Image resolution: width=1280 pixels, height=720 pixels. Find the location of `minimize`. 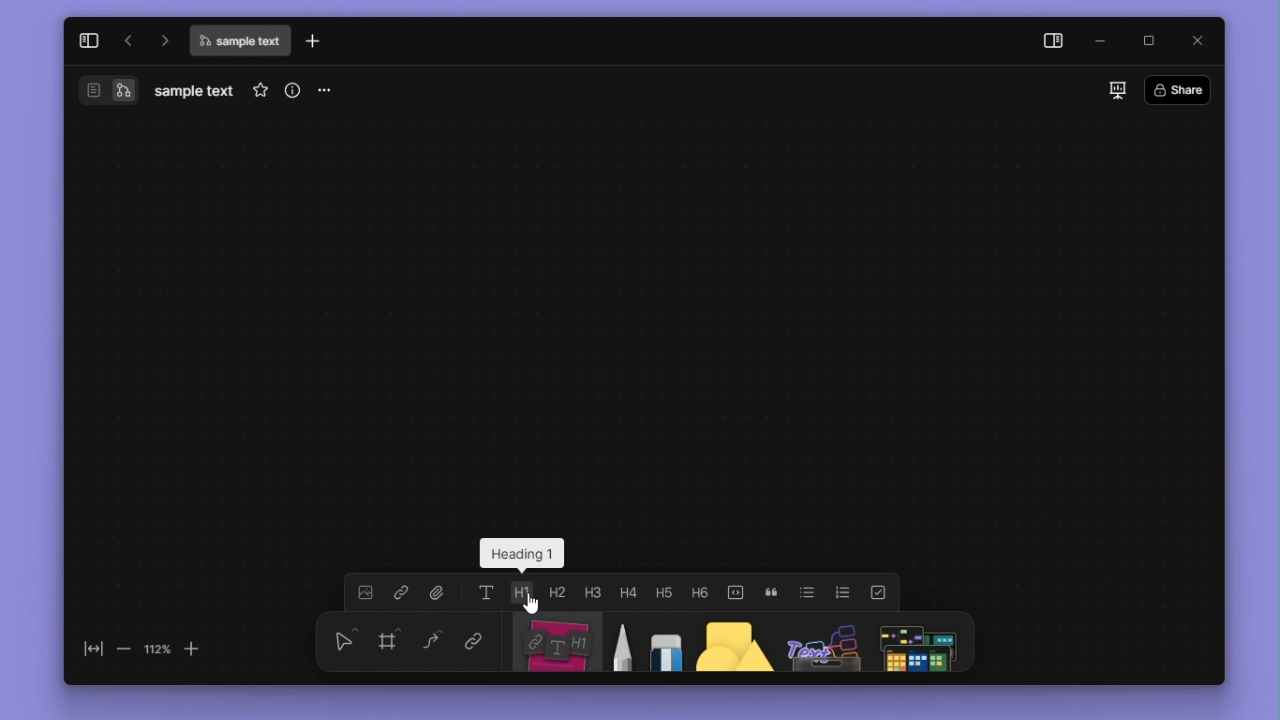

minimize is located at coordinates (1102, 42).